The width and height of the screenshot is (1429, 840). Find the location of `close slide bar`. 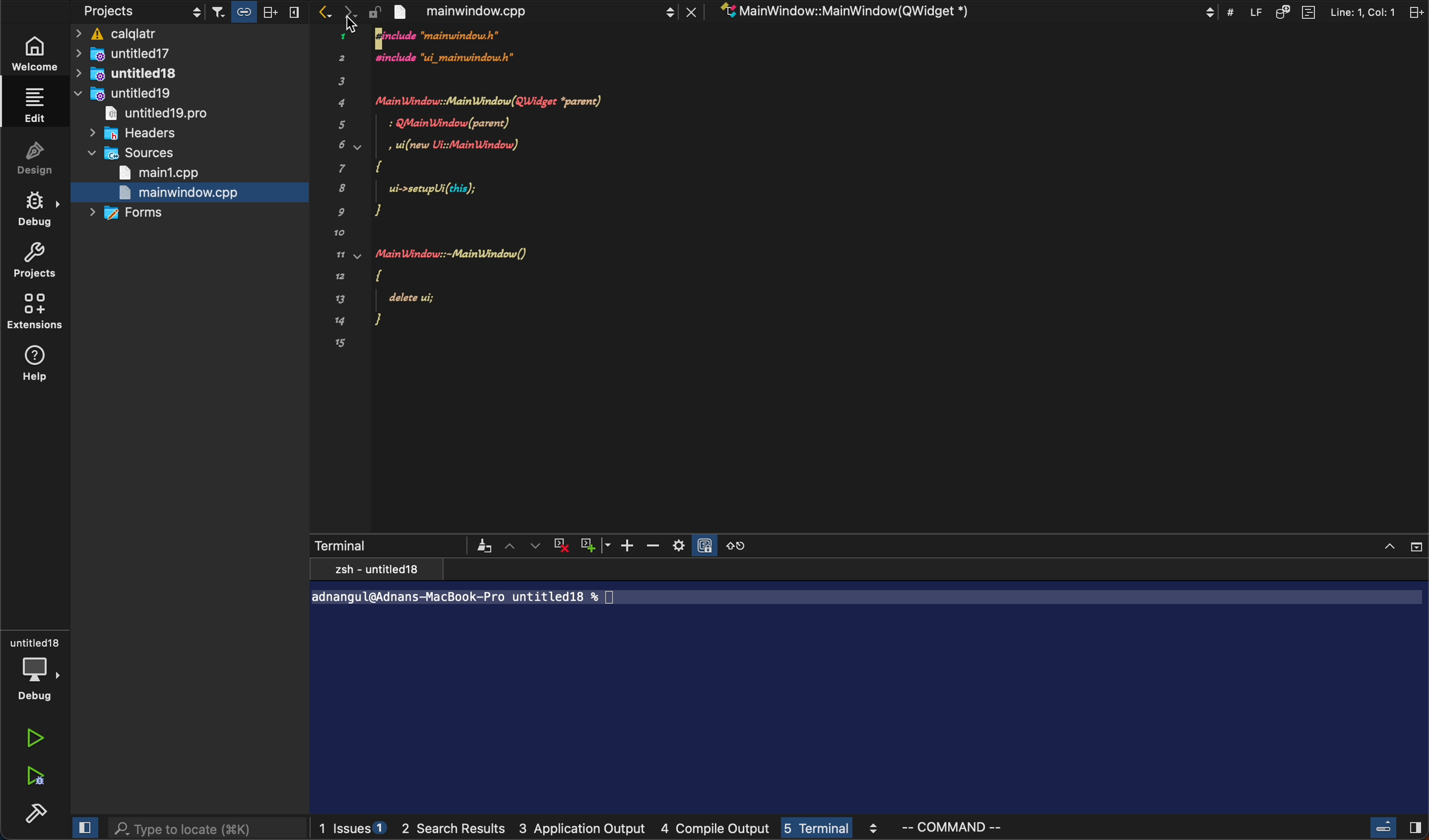

close slide bar is located at coordinates (82, 824).